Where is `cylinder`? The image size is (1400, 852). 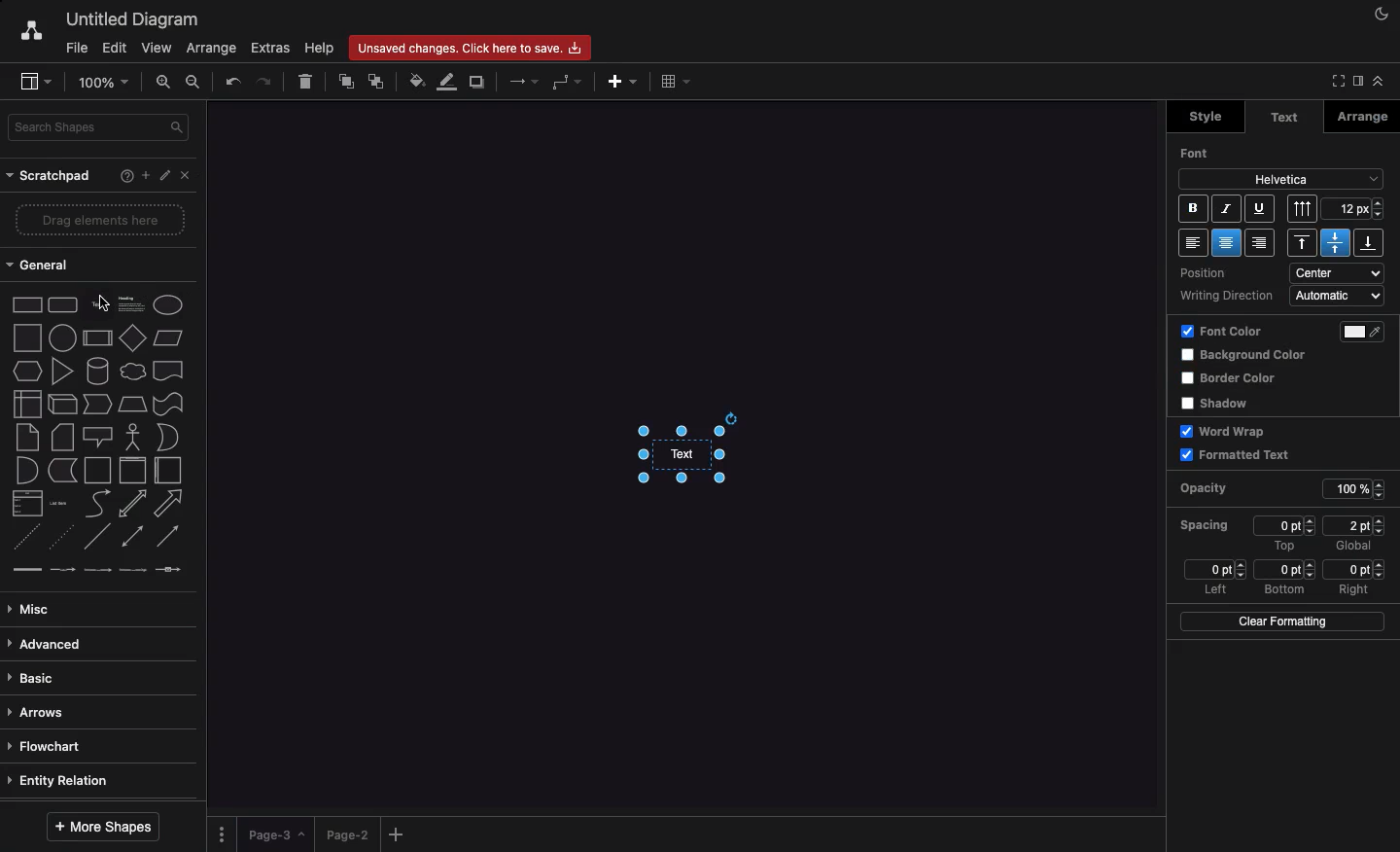
cylinder is located at coordinates (98, 371).